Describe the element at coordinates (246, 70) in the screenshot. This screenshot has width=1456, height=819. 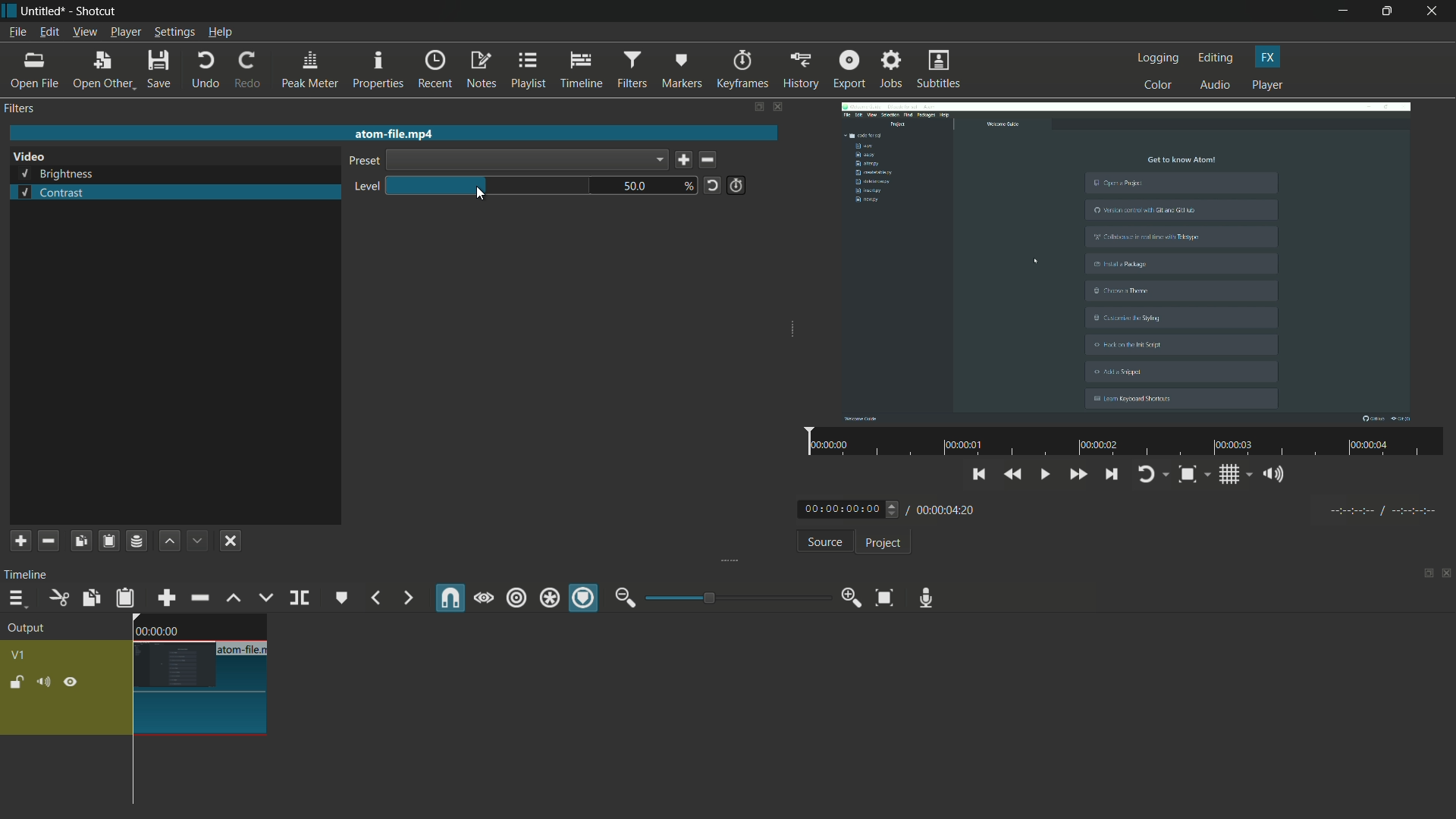
I see `redo` at that location.